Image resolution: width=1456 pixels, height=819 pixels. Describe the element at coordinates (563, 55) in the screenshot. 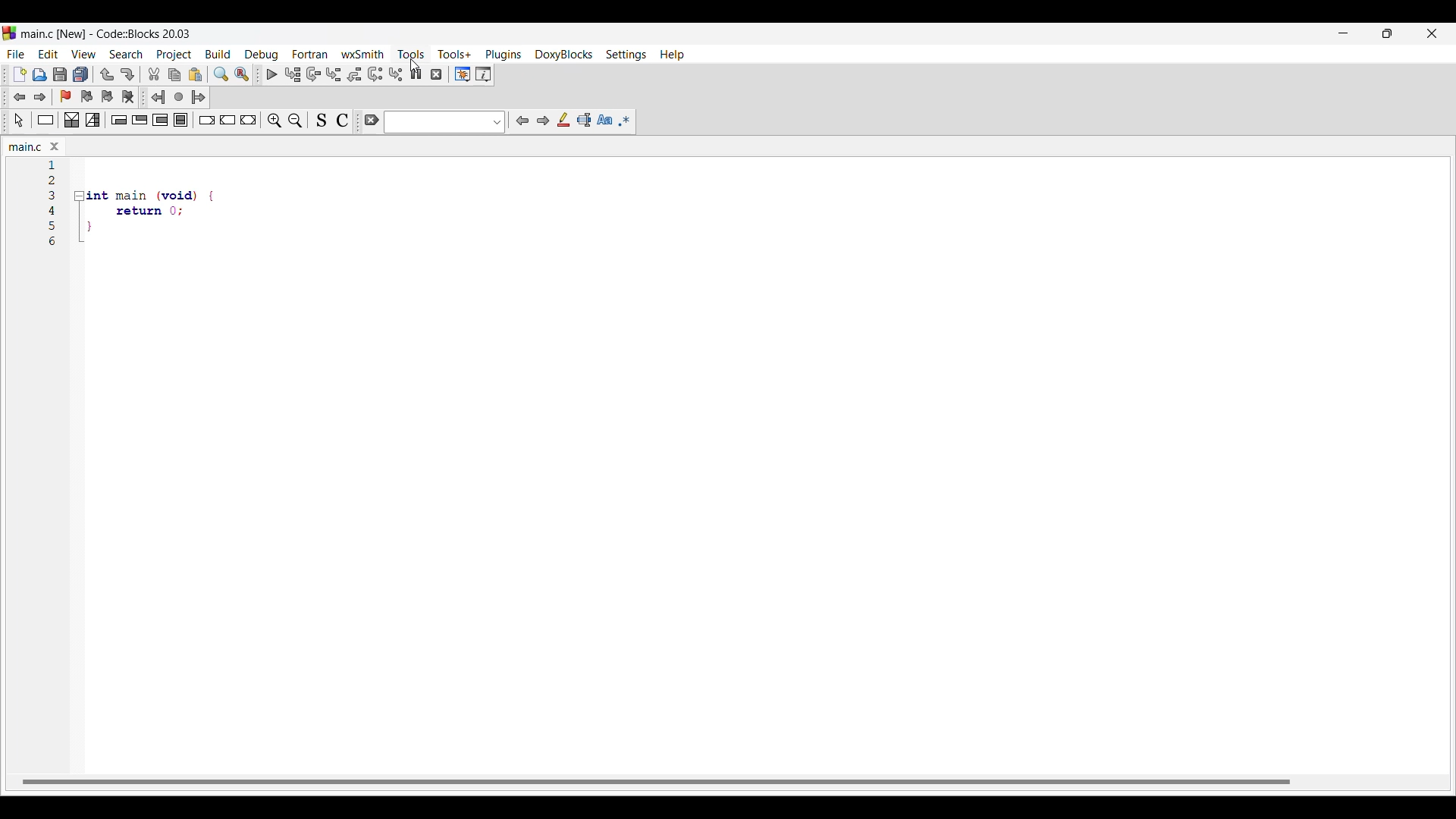

I see `DoxyBlocks menu` at that location.